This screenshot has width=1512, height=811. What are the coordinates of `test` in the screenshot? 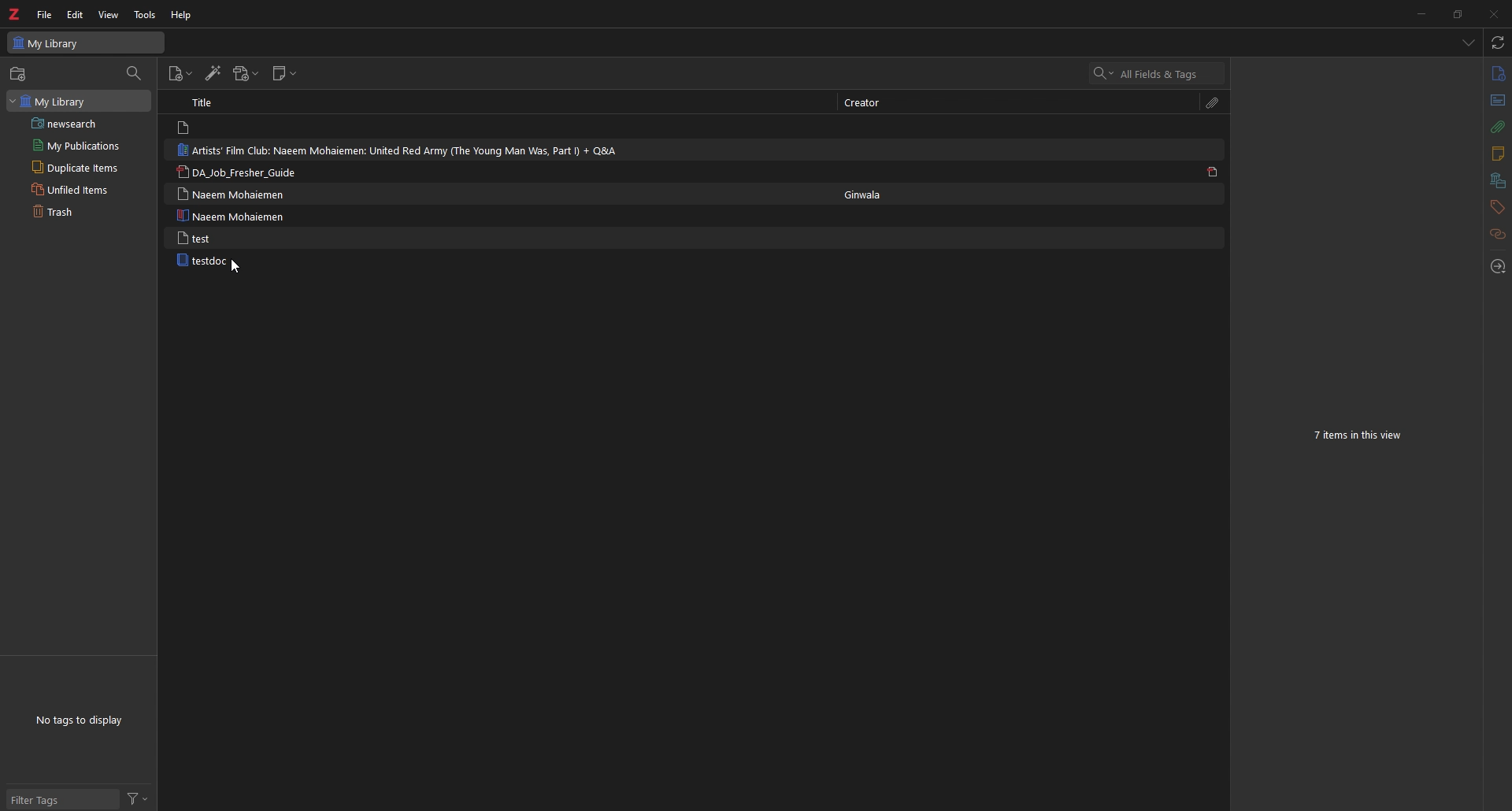 It's located at (196, 238).